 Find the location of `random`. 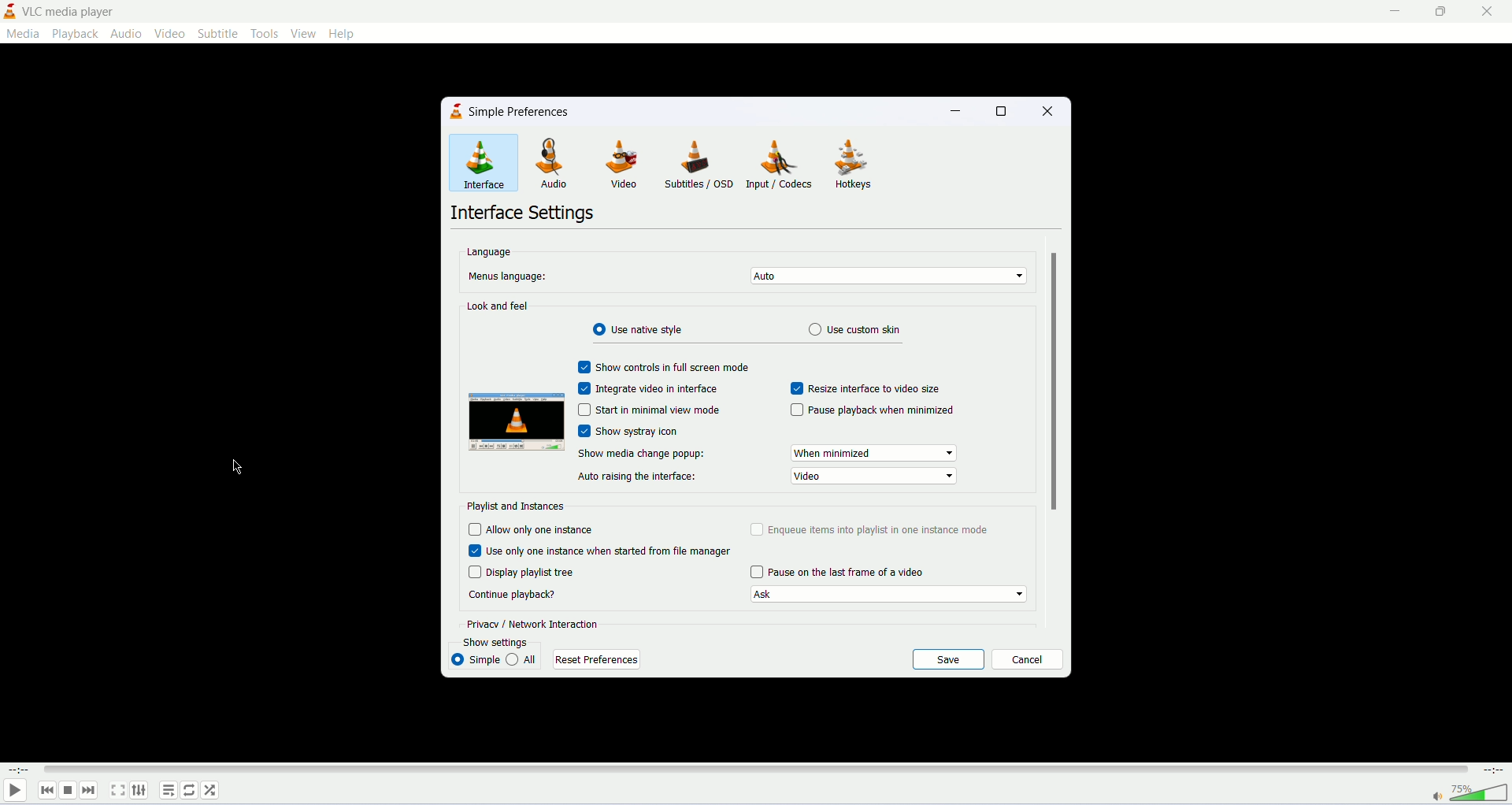

random is located at coordinates (210, 789).